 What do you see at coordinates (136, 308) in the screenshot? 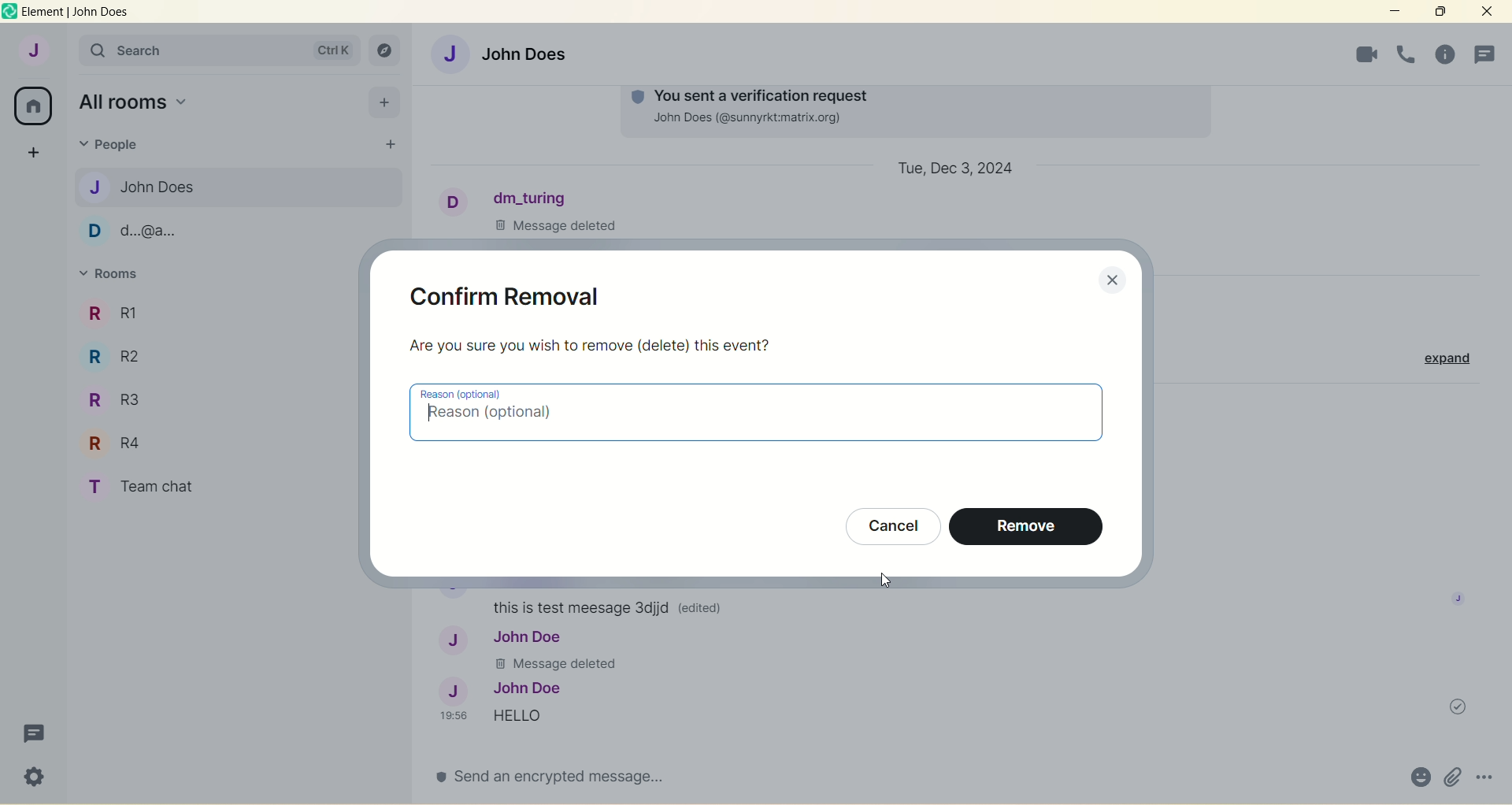
I see `R1` at bounding box center [136, 308].